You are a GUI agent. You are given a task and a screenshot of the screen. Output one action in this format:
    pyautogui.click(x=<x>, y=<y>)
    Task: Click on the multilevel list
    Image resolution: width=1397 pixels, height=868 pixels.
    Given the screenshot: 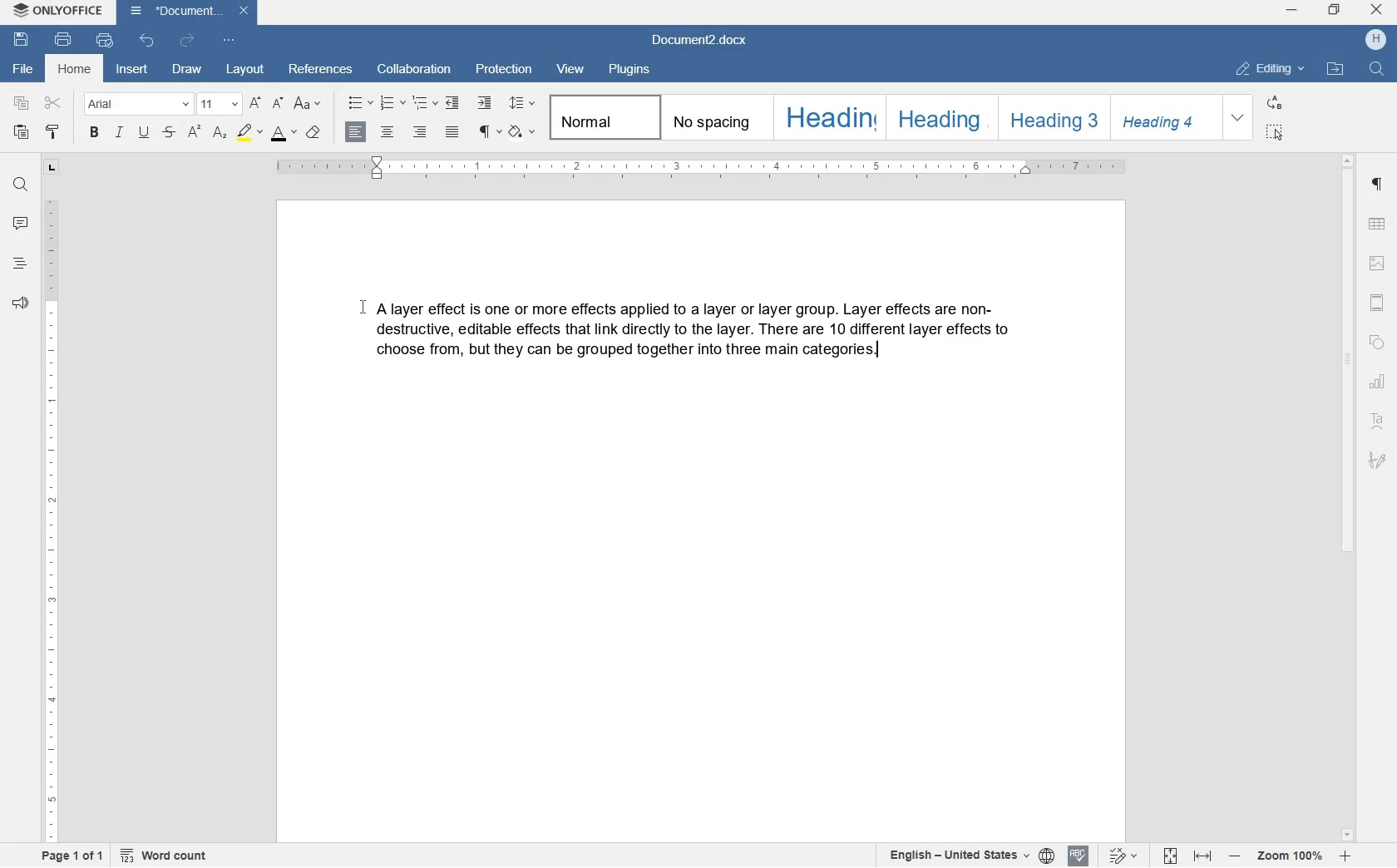 What is the action you would take?
    pyautogui.click(x=423, y=104)
    